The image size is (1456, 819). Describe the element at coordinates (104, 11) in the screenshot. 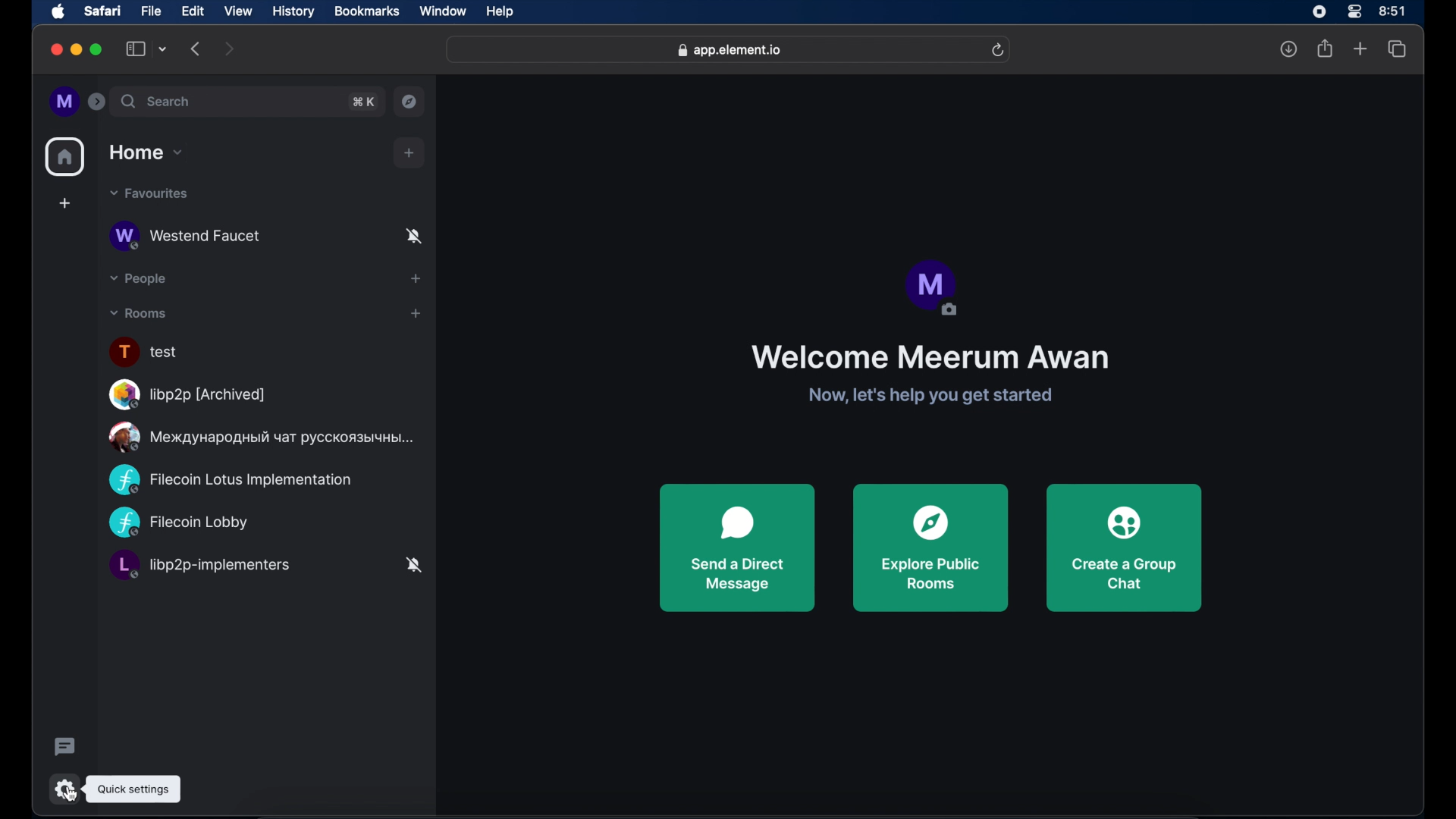

I see `safari` at that location.